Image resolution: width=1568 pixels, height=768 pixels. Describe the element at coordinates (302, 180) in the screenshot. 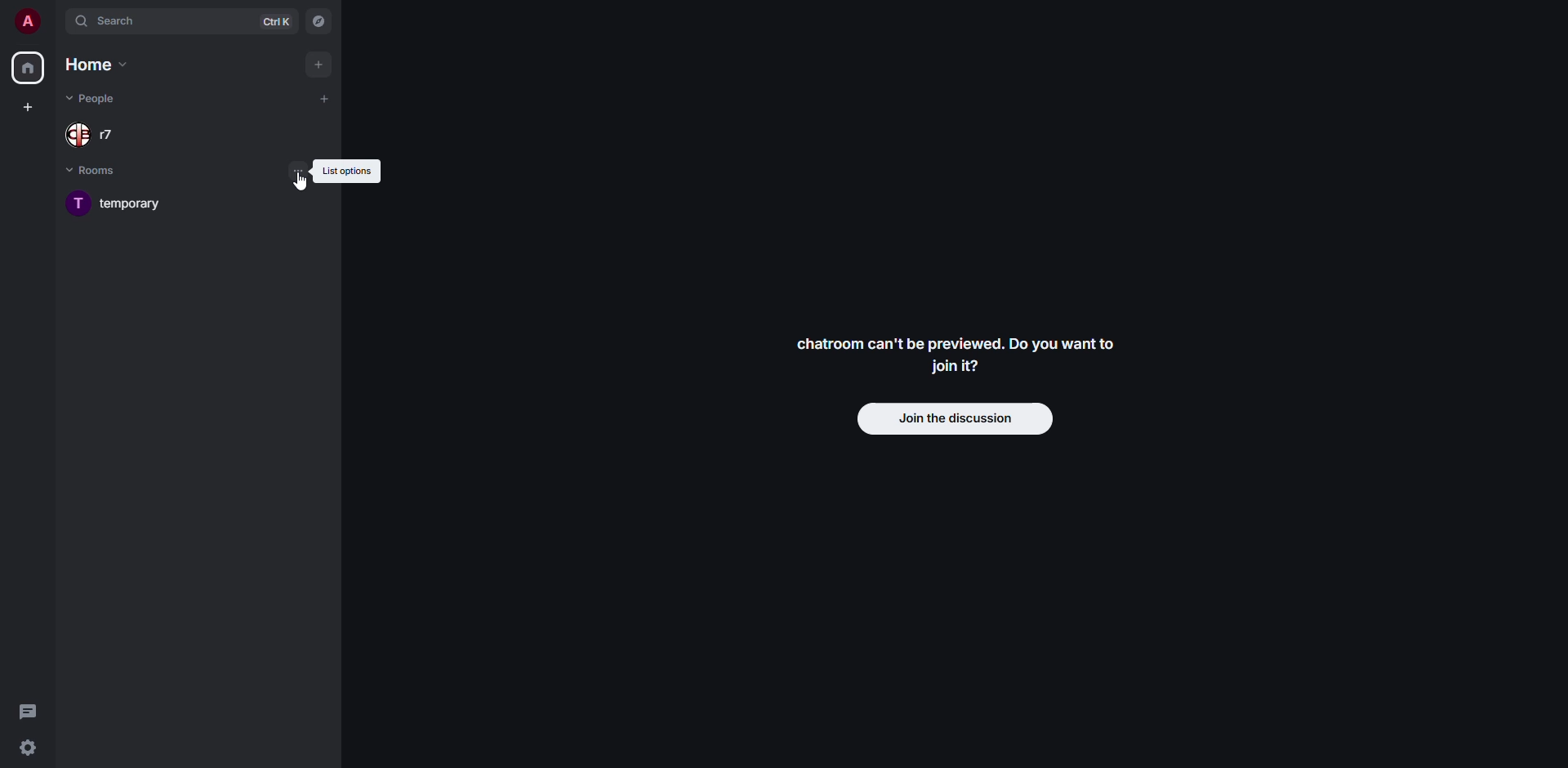

I see `cursor` at that location.